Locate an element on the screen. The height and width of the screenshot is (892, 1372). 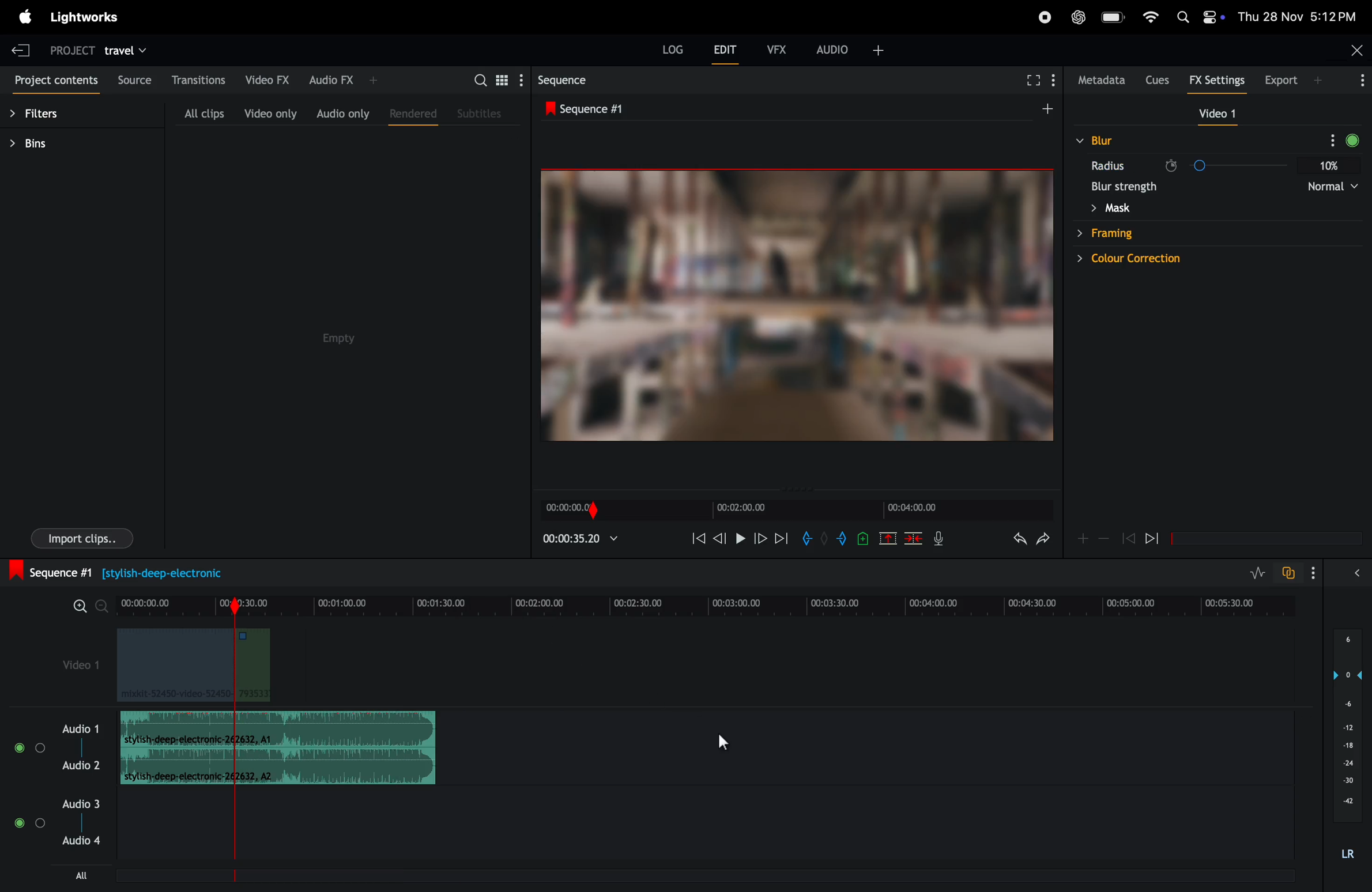
audio track is located at coordinates (278, 728).